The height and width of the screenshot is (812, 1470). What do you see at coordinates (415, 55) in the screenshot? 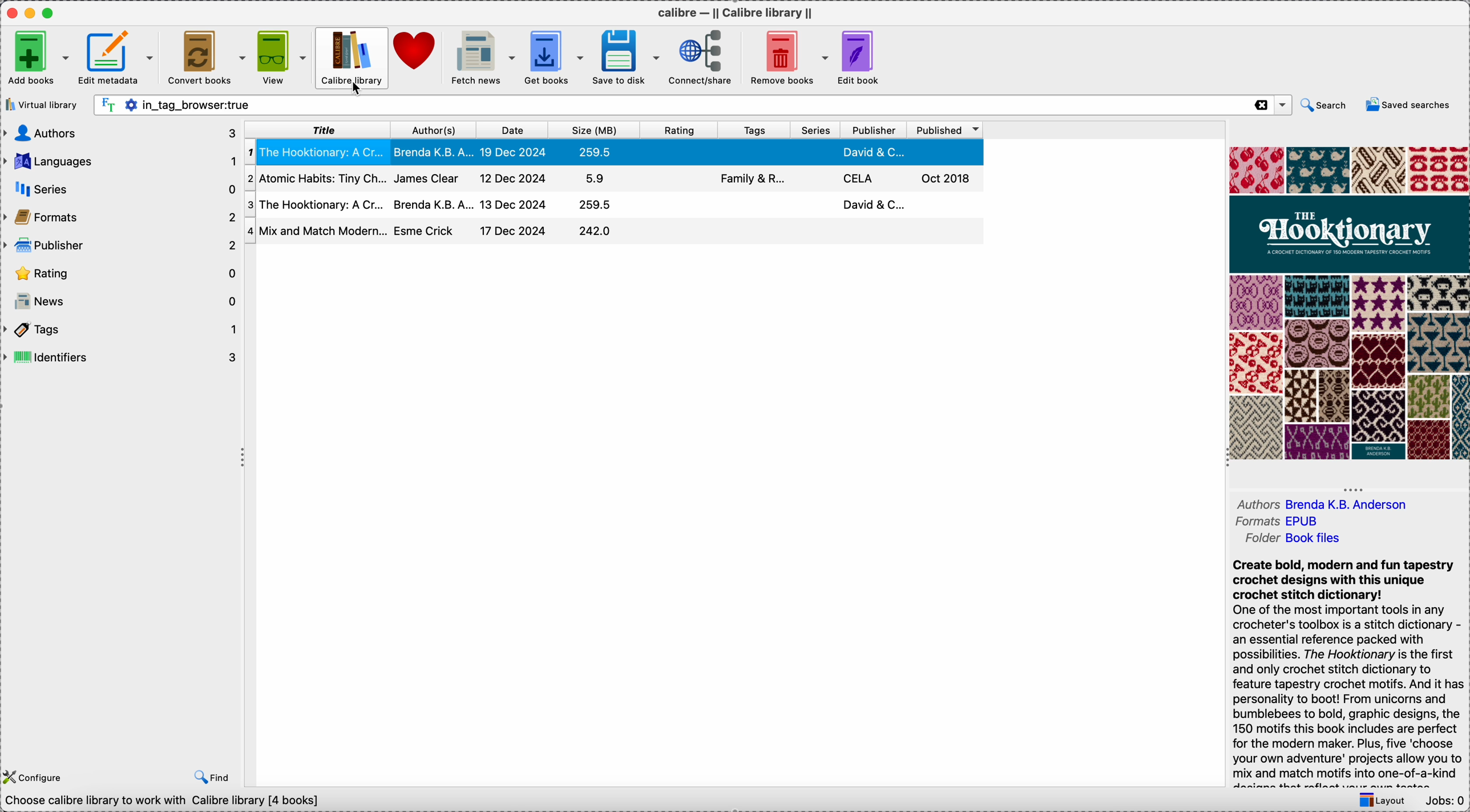
I see `donate` at bounding box center [415, 55].